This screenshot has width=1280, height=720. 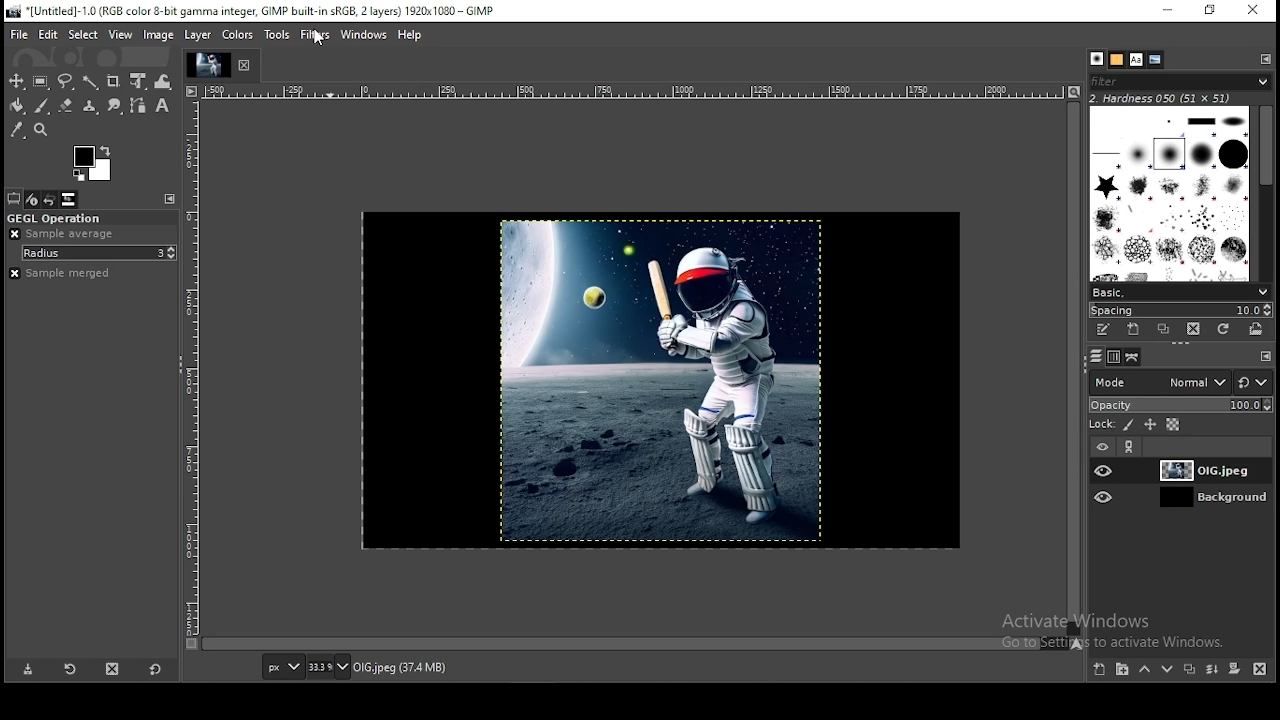 What do you see at coordinates (1150, 670) in the screenshot?
I see `move layer up` at bounding box center [1150, 670].